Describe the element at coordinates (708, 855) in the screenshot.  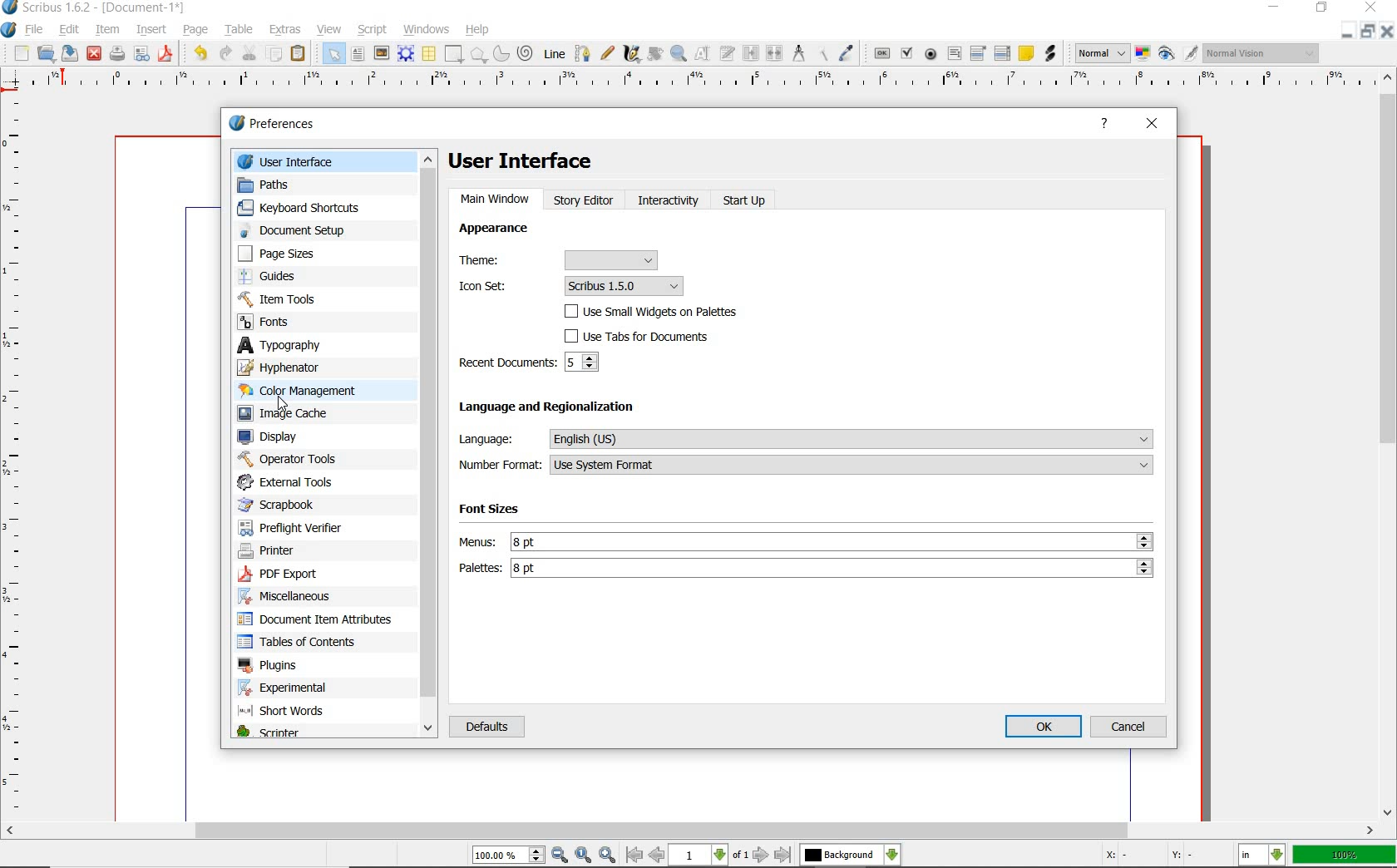
I see `move to next or previous page` at that location.